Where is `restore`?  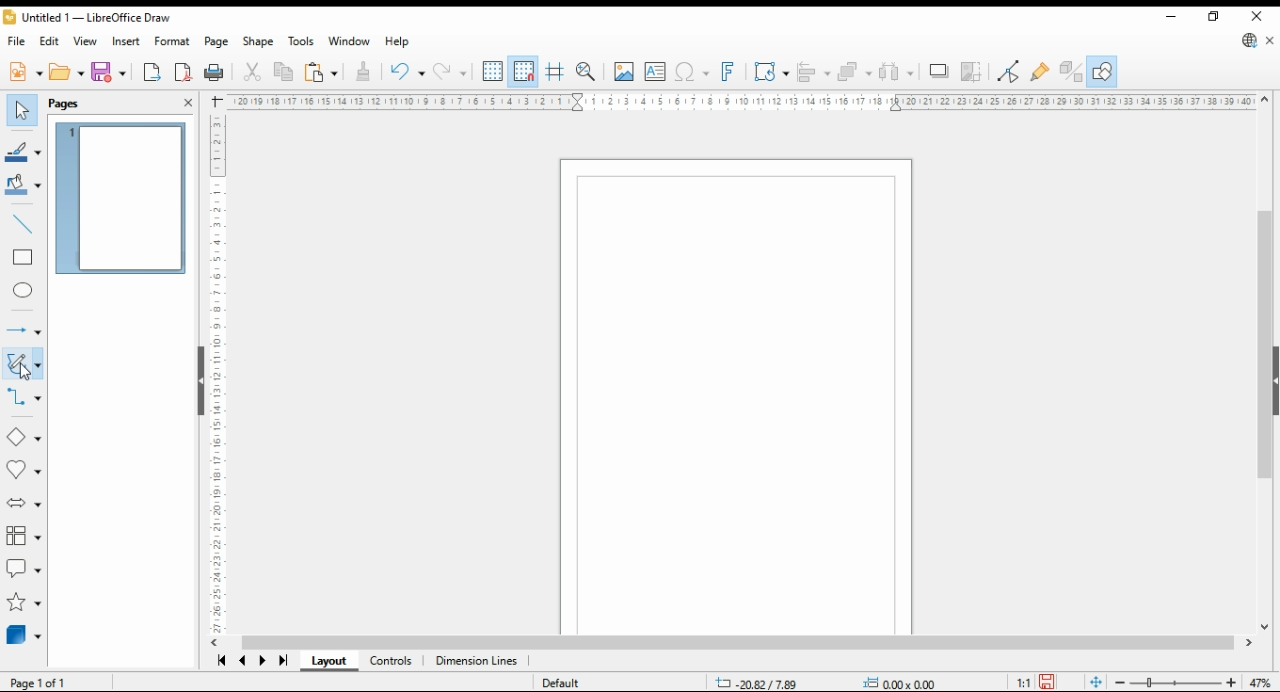 restore is located at coordinates (1213, 17).